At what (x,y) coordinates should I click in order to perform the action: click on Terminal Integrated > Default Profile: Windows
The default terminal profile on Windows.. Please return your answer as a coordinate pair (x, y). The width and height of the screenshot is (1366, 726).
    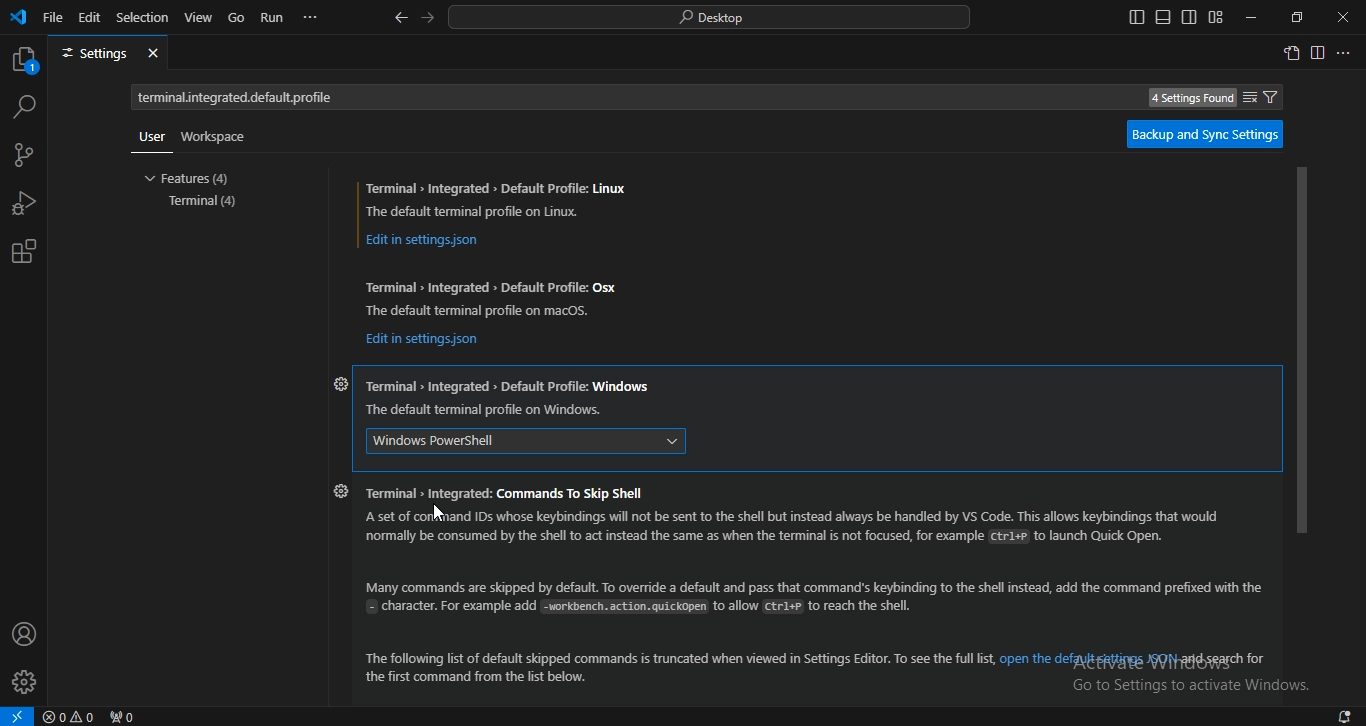
    Looking at the image, I should click on (509, 395).